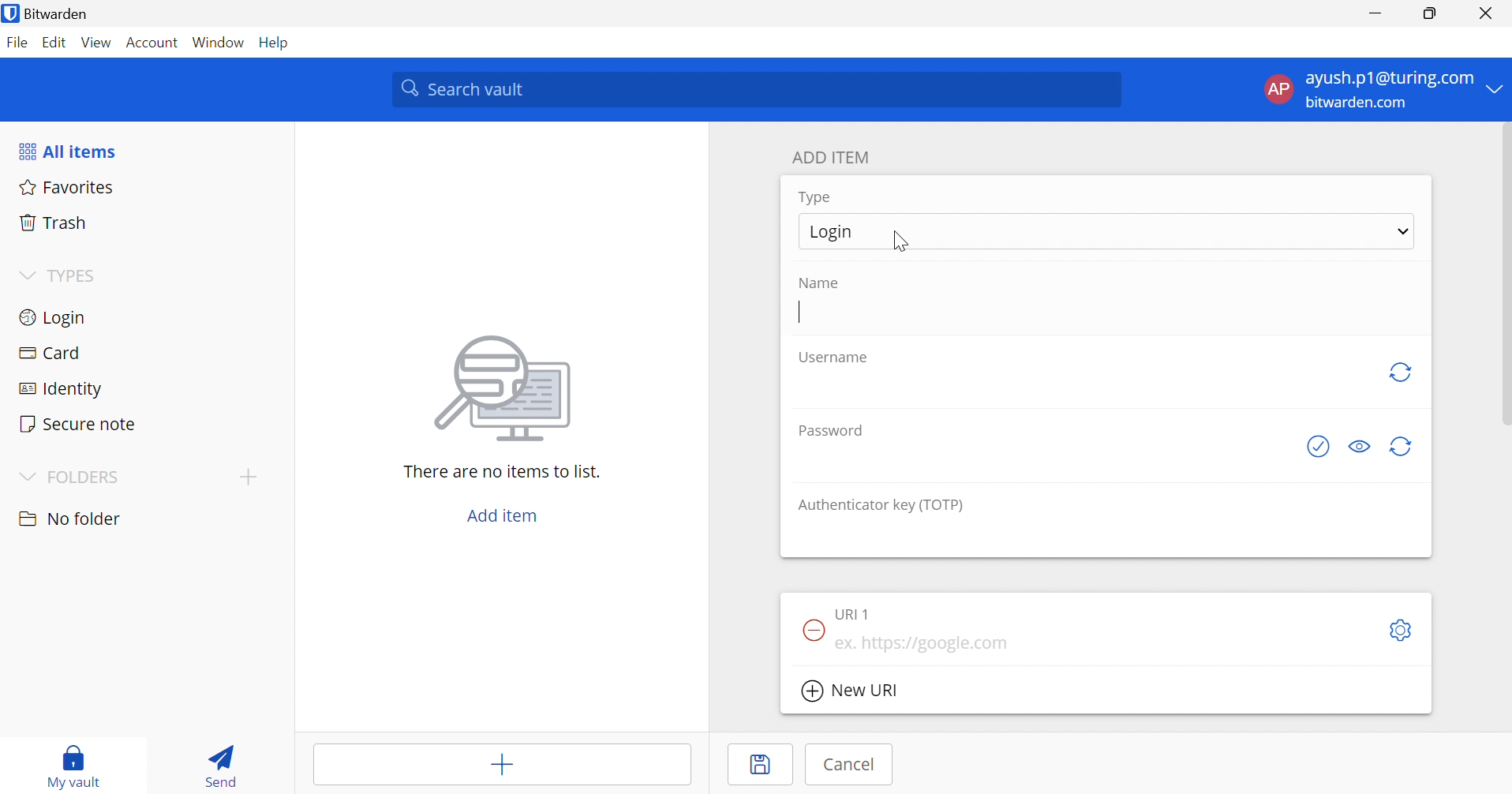 The height and width of the screenshot is (794, 1512). Describe the element at coordinates (927, 644) in the screenshot. I see `eg. https://google.com` at that location.